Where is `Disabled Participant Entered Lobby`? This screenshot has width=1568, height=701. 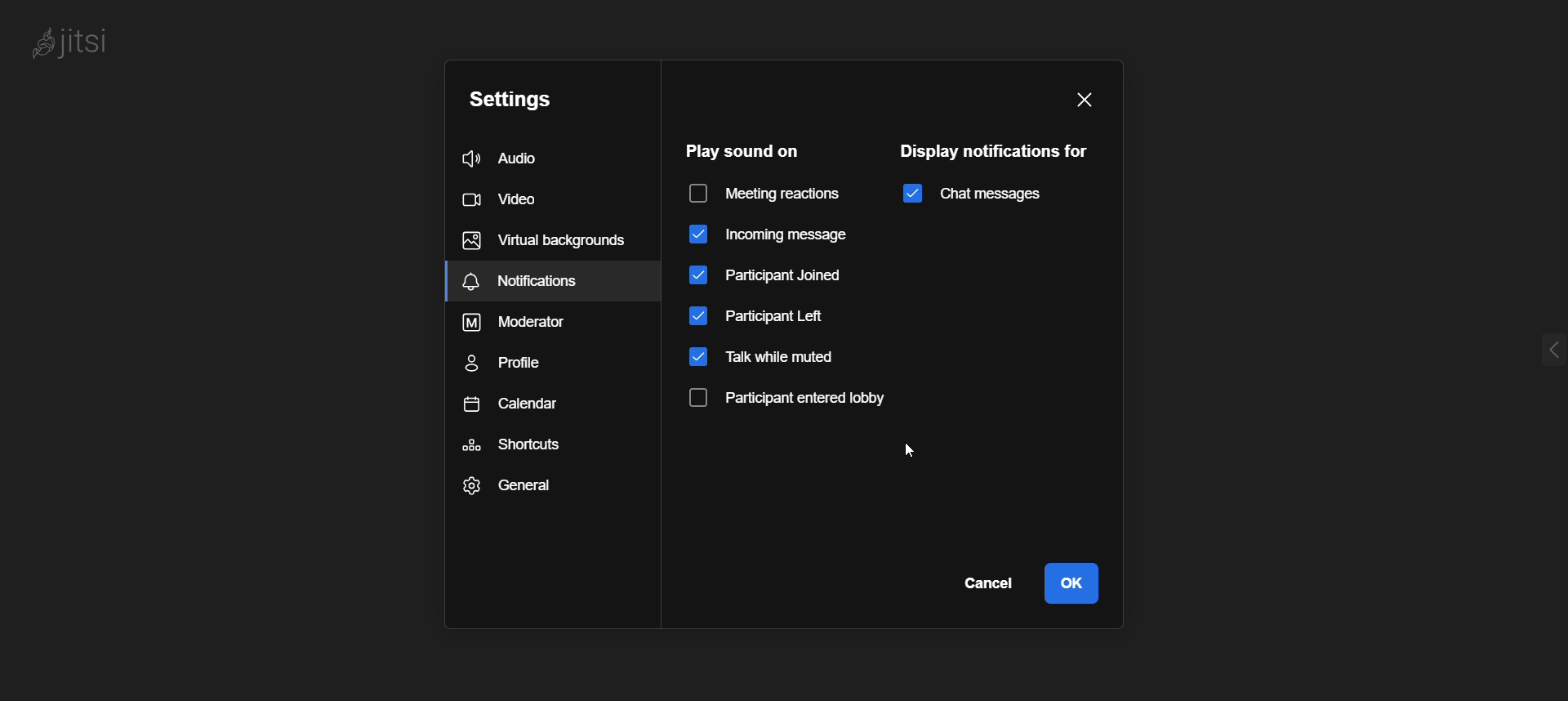 Disabled Participant Entered Lobby is located at coordinates (799, 397).